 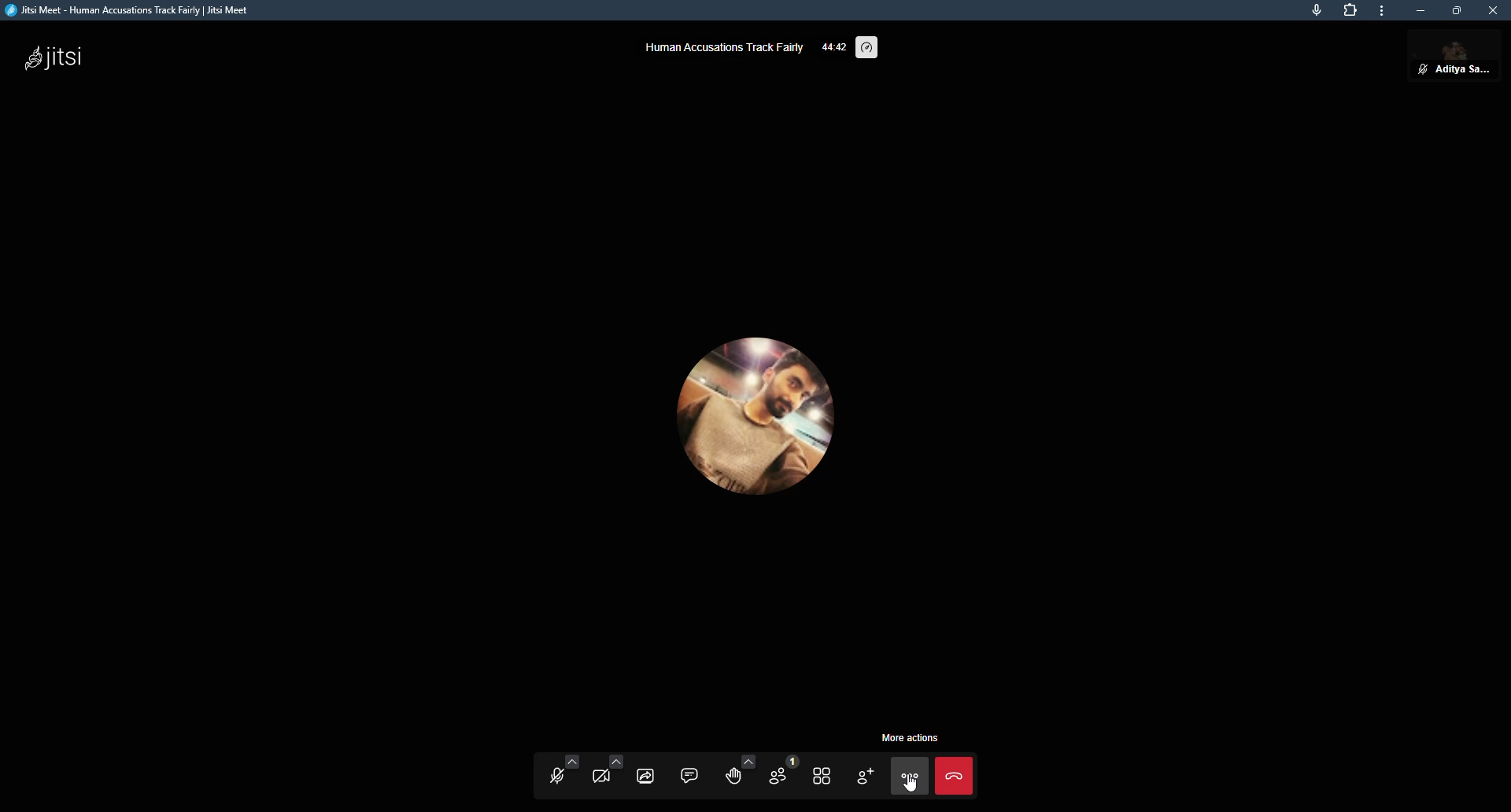 What do you see at coordinates (864, 774) in the screenshot?
I see `invite people` at bounding box center [864, 774].